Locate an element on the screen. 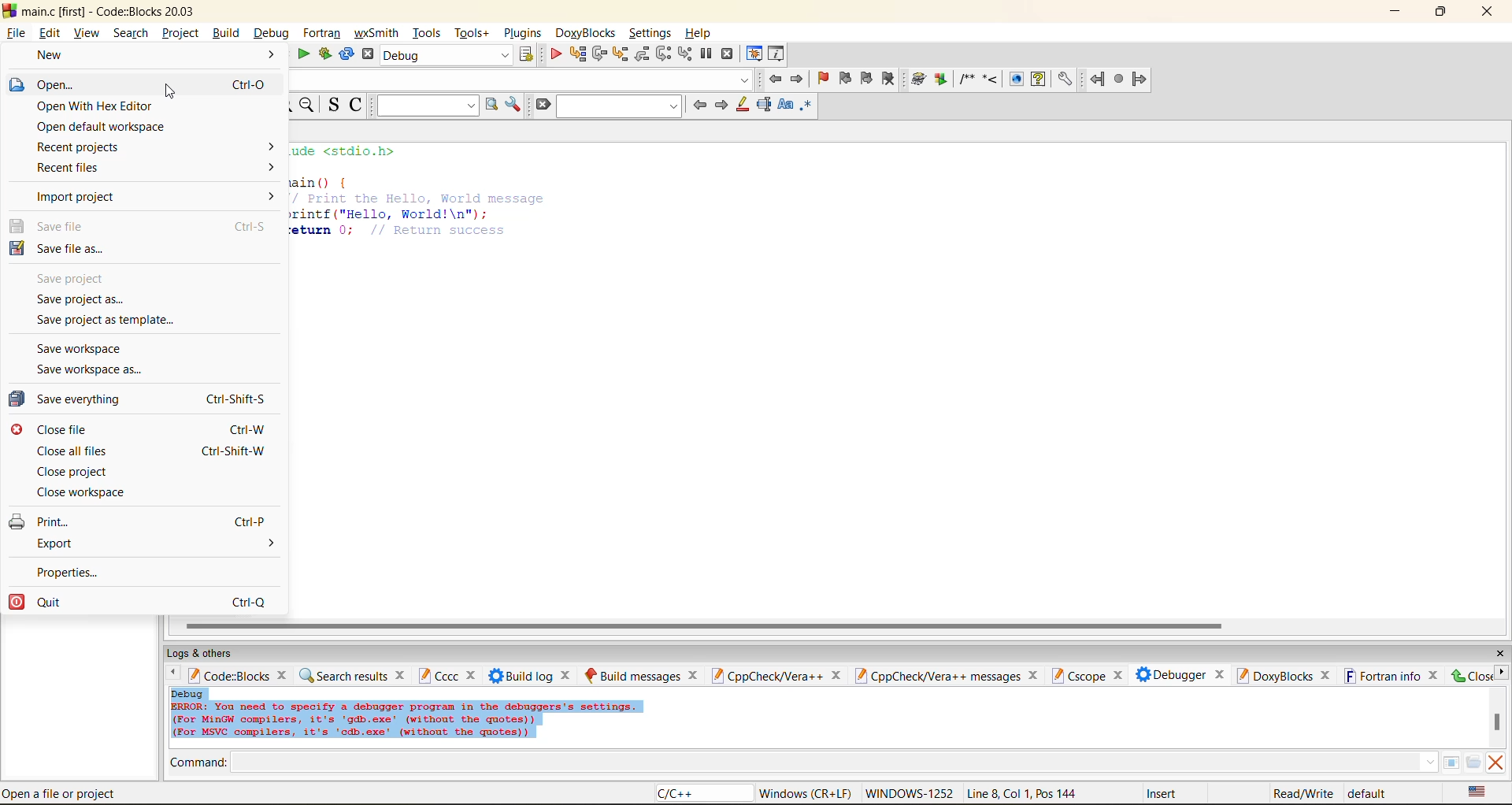 This screenshot has width=1512, height=805. save file is located at coordinates (150, 227).